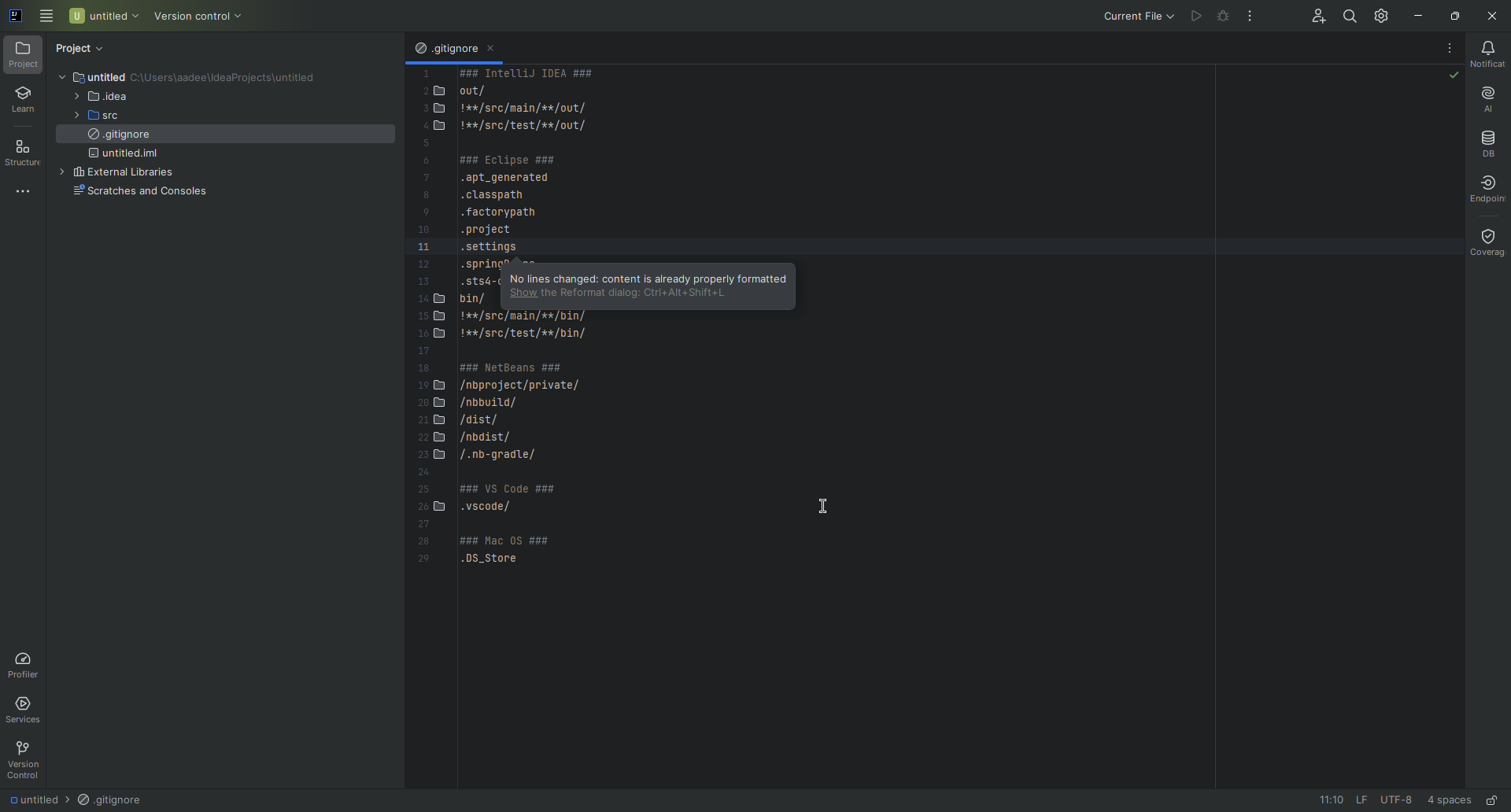 The image size is (1511, 812). I want to click on Scratches and Console, so click(139, 194).